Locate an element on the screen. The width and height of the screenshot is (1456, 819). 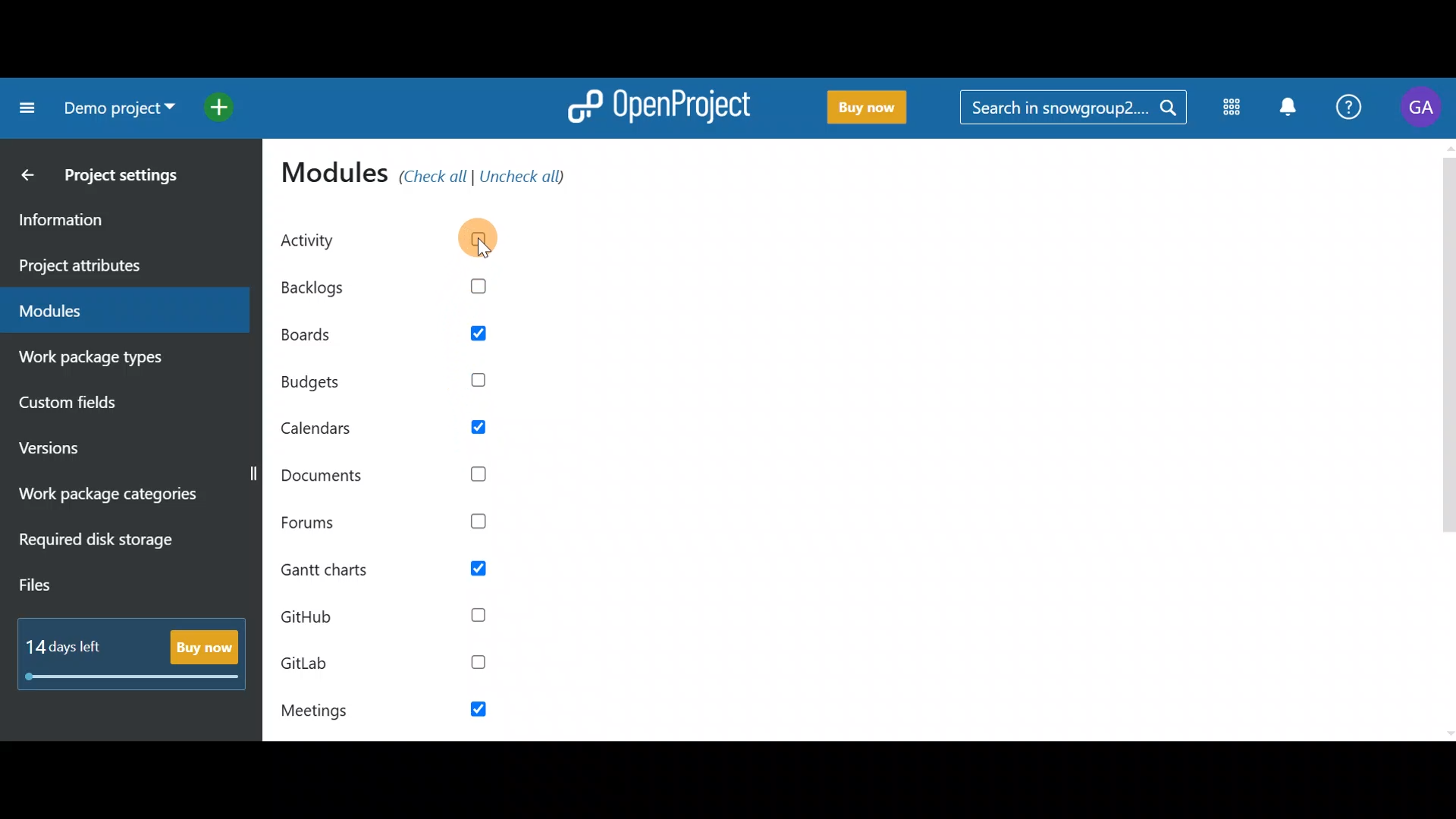
Notification centre is located at coordinates (1291, 111).